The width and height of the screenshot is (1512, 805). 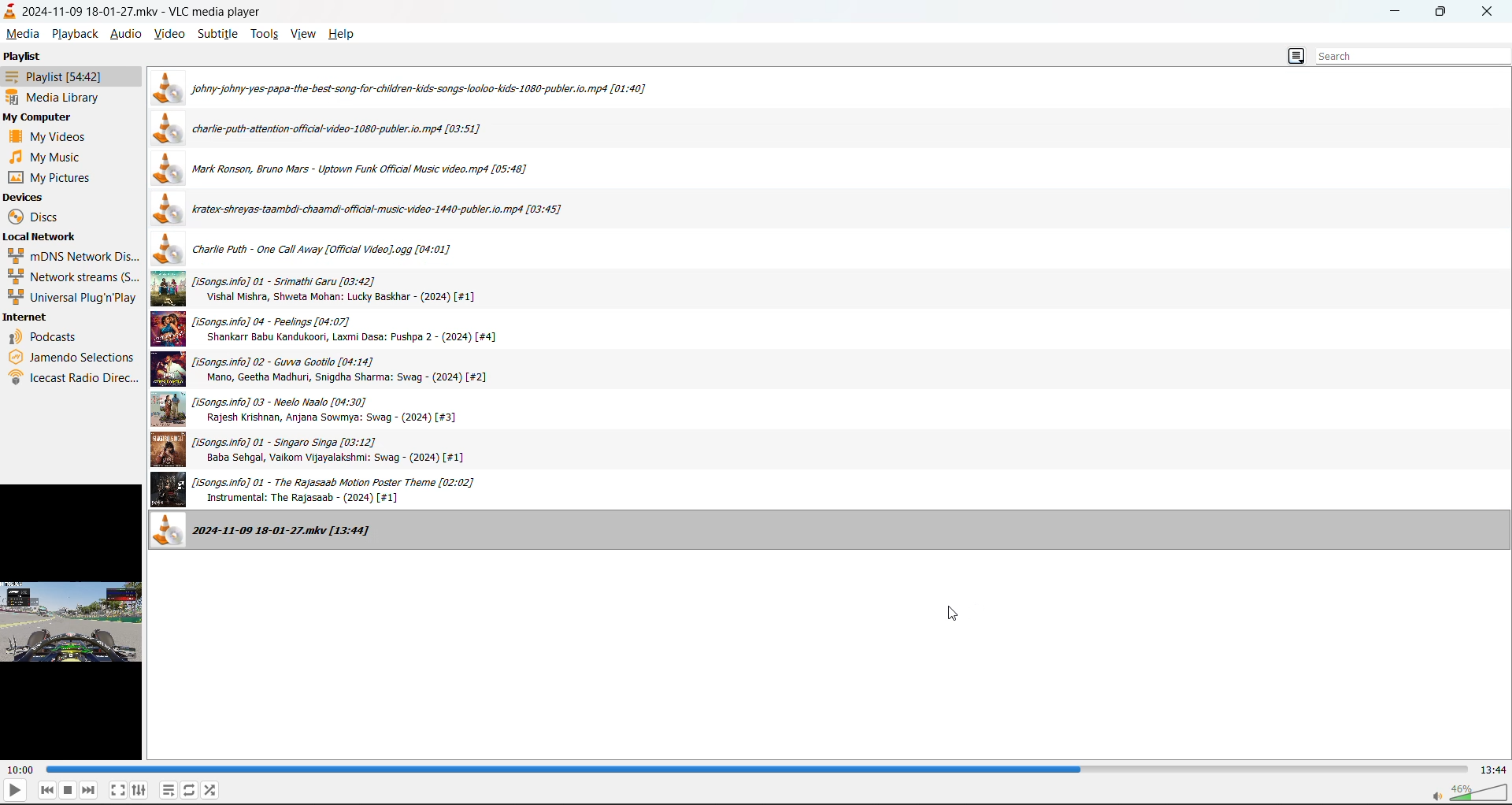 I want to click on mdns network, so click(x=76, y=256).